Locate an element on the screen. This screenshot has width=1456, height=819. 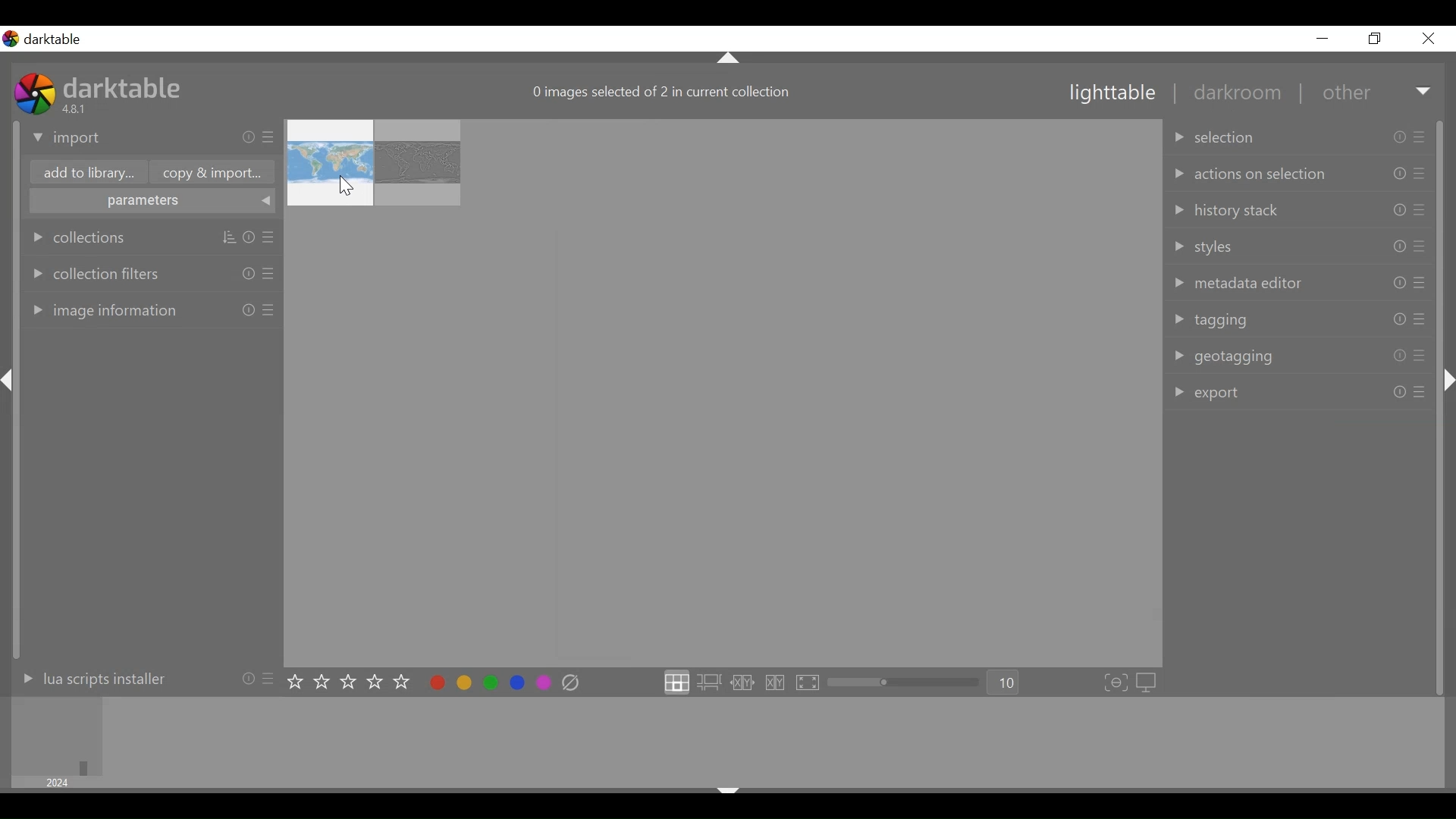
lightable is located at coordinates (1113, 93).